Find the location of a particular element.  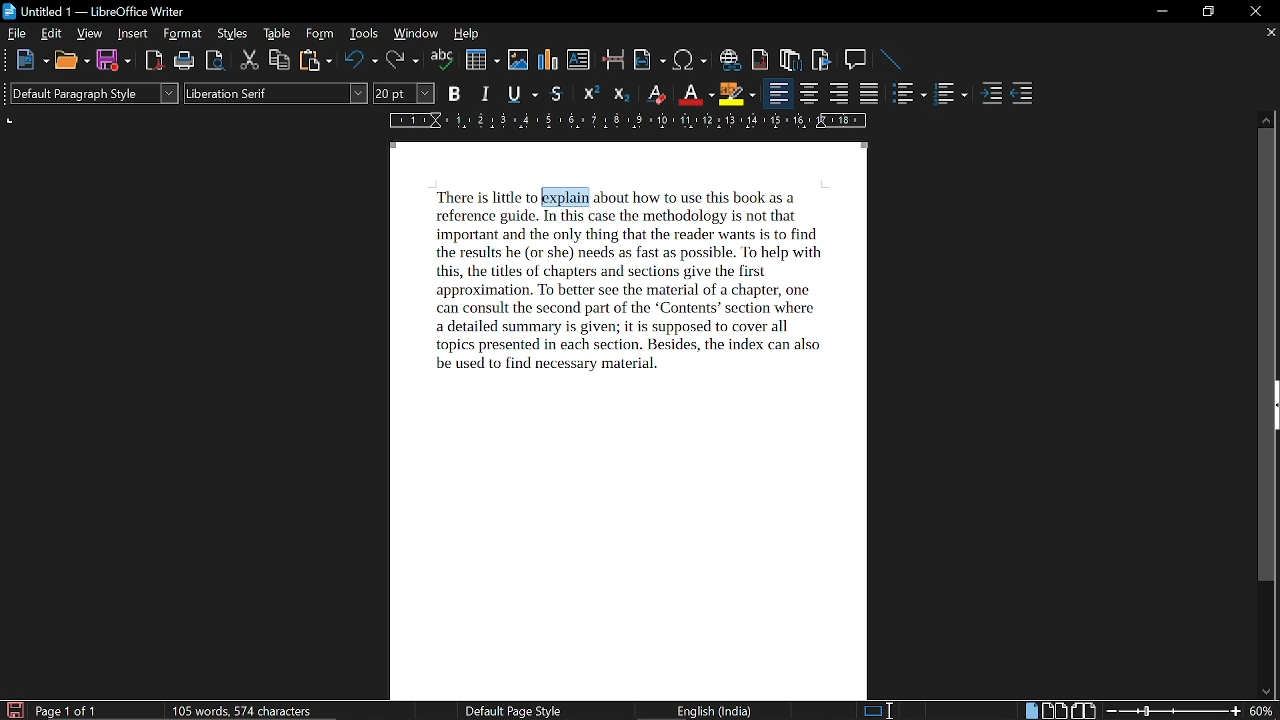

insert bookmark is located at coordinates (822, 60).